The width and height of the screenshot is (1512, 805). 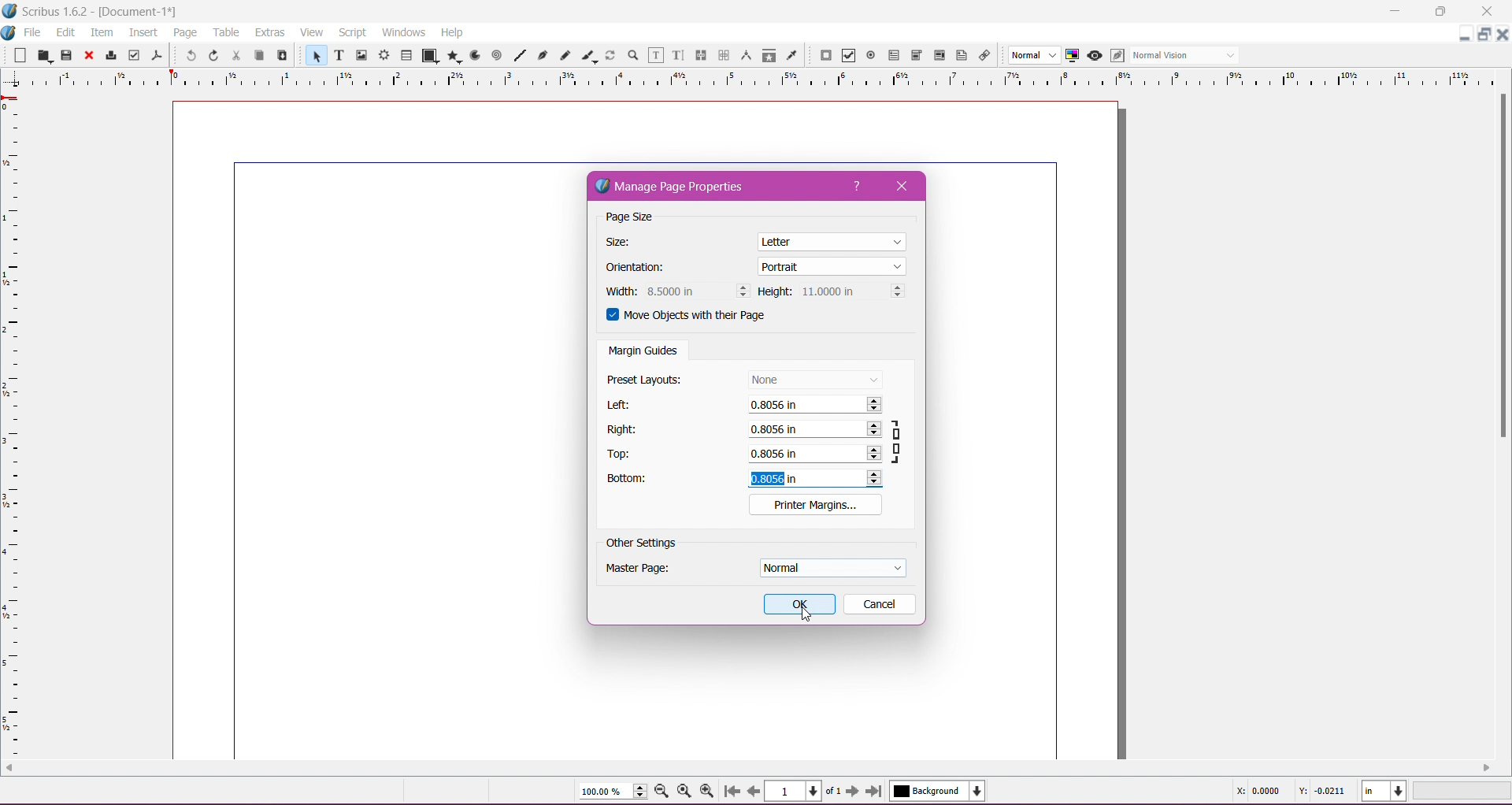 What do you see at coordinates (496, 56) in the screenshot?
I see `Spiral` at bounding box center [496, 56].